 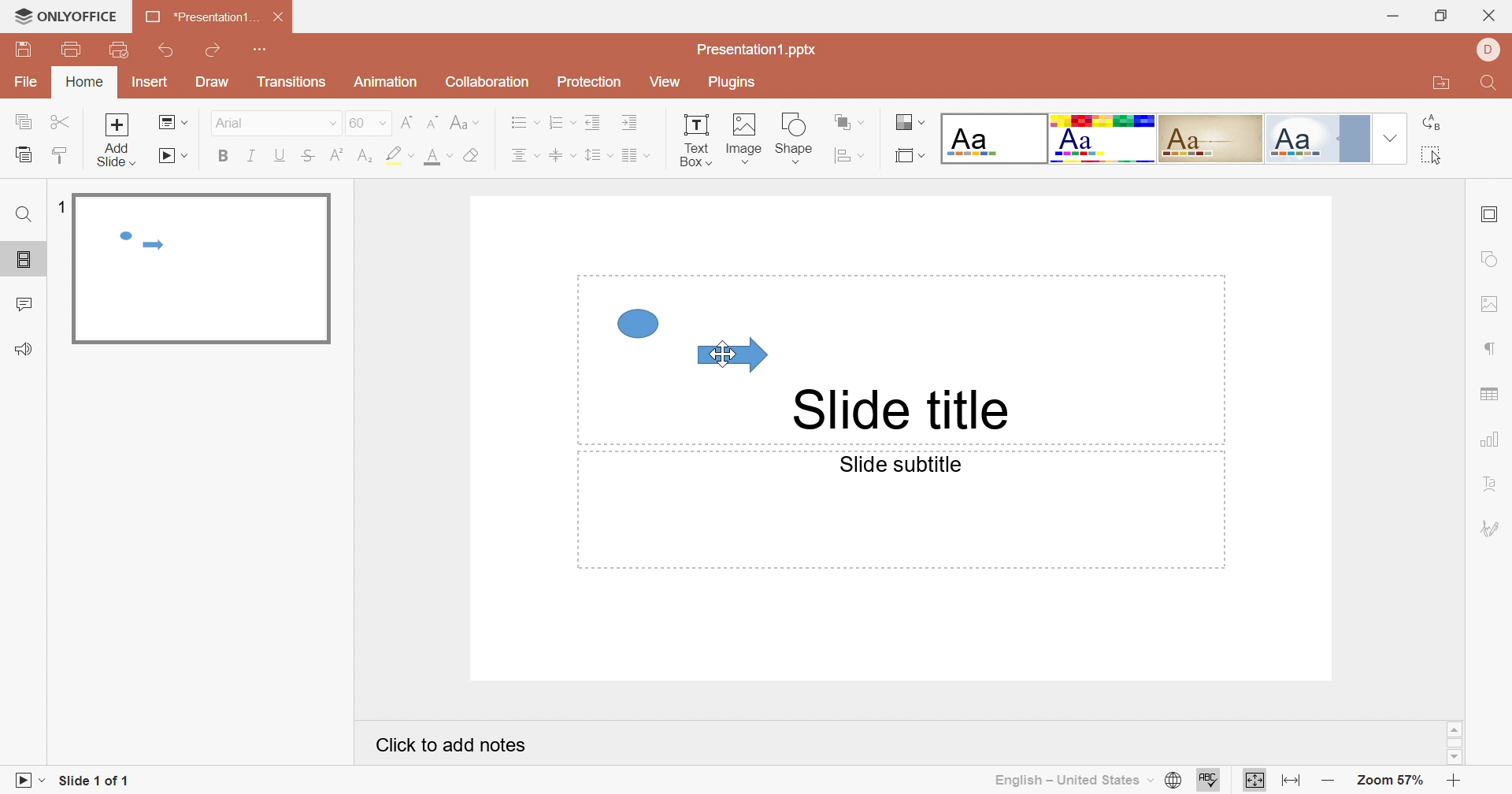 What do you see at coordinates (24, 216) in the screenshot?
I see `Find` at bounding box center [24, 216].